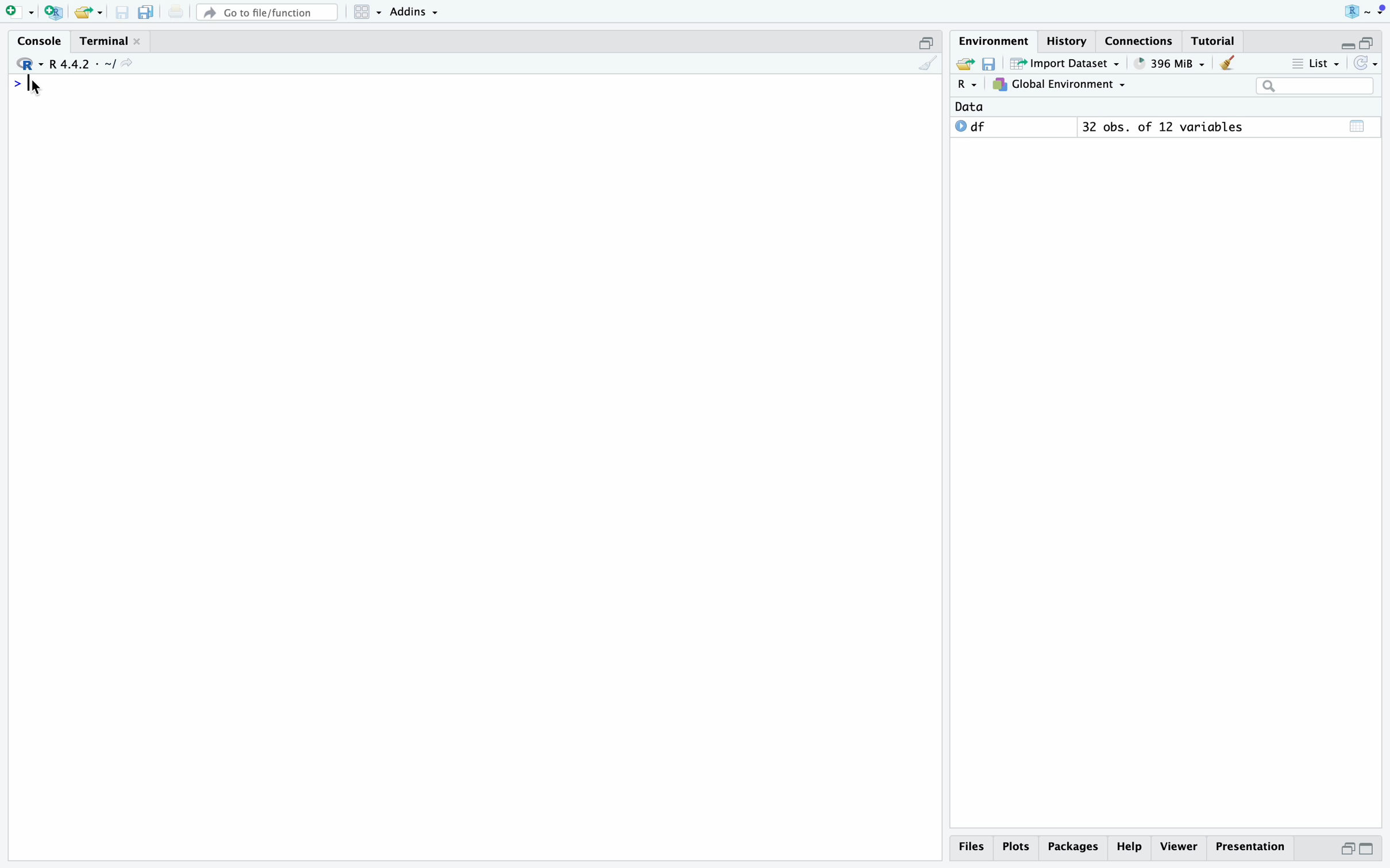 The image size is (1390, 868). I want to click on go to file/function, so click(269, 13).